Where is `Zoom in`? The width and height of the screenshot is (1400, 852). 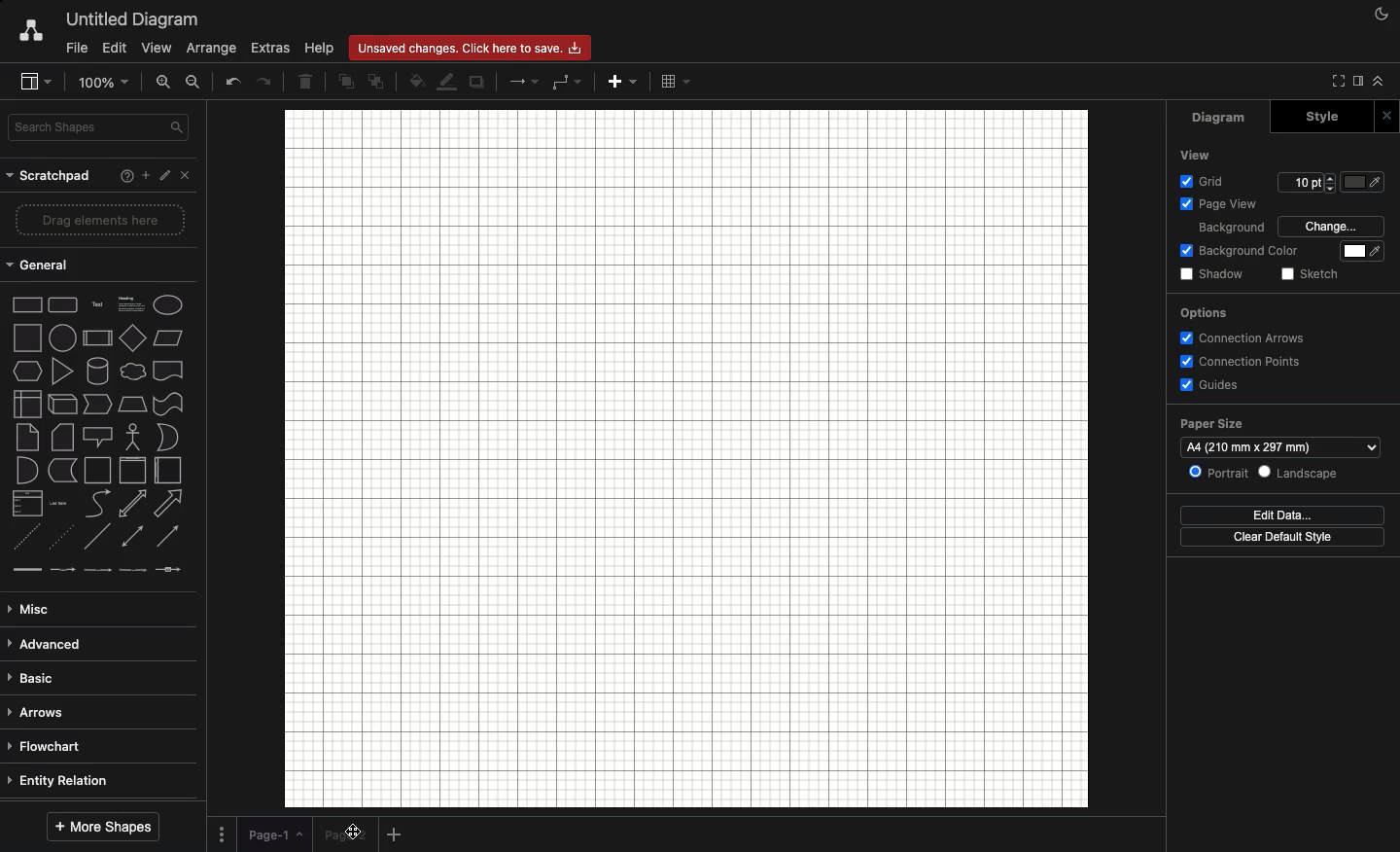
Zoom in is located at coordinates (161, 85).